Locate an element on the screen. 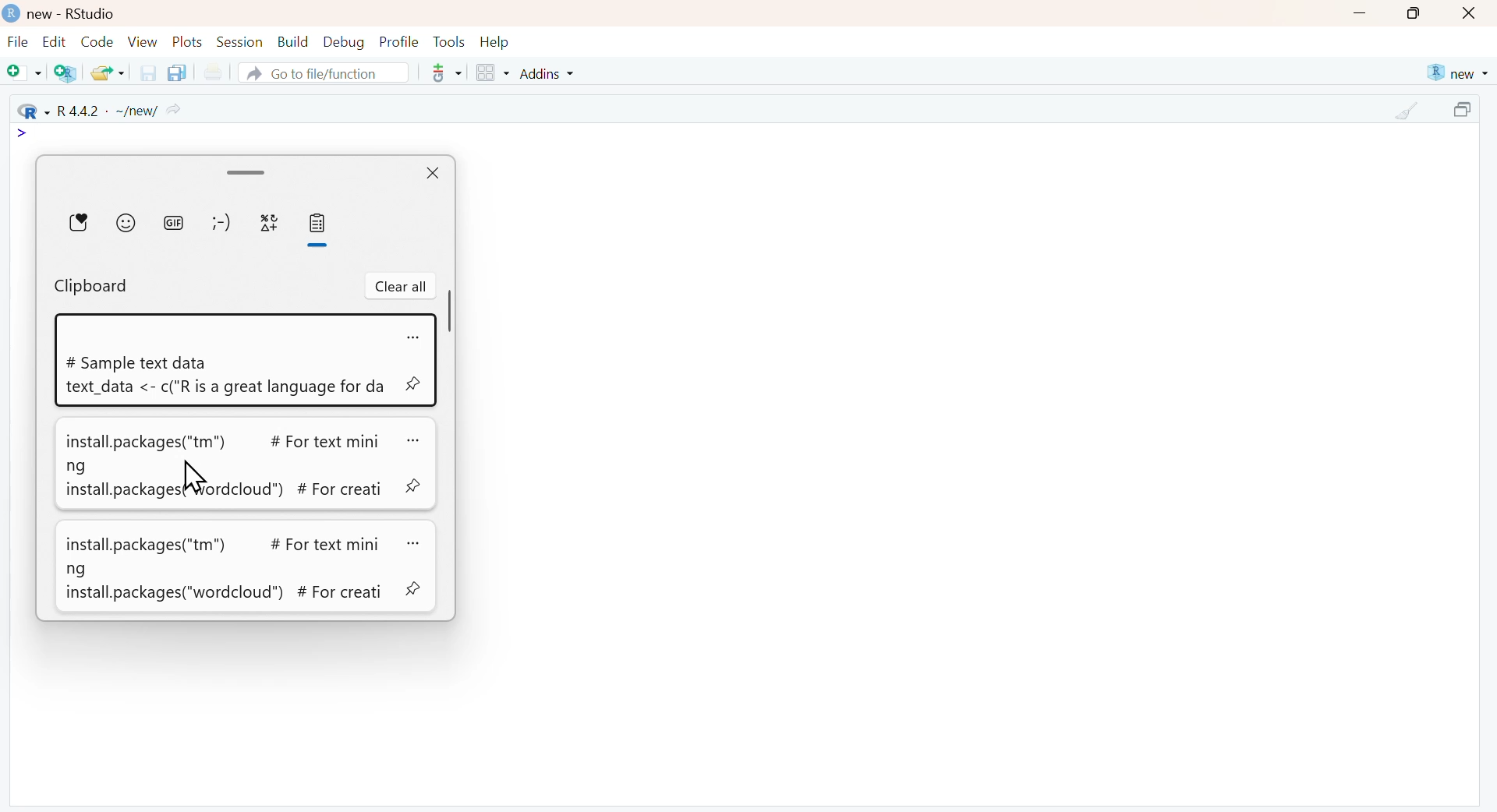 The image size is (1497, 812). Clear all is located at coordinates (400, 286).